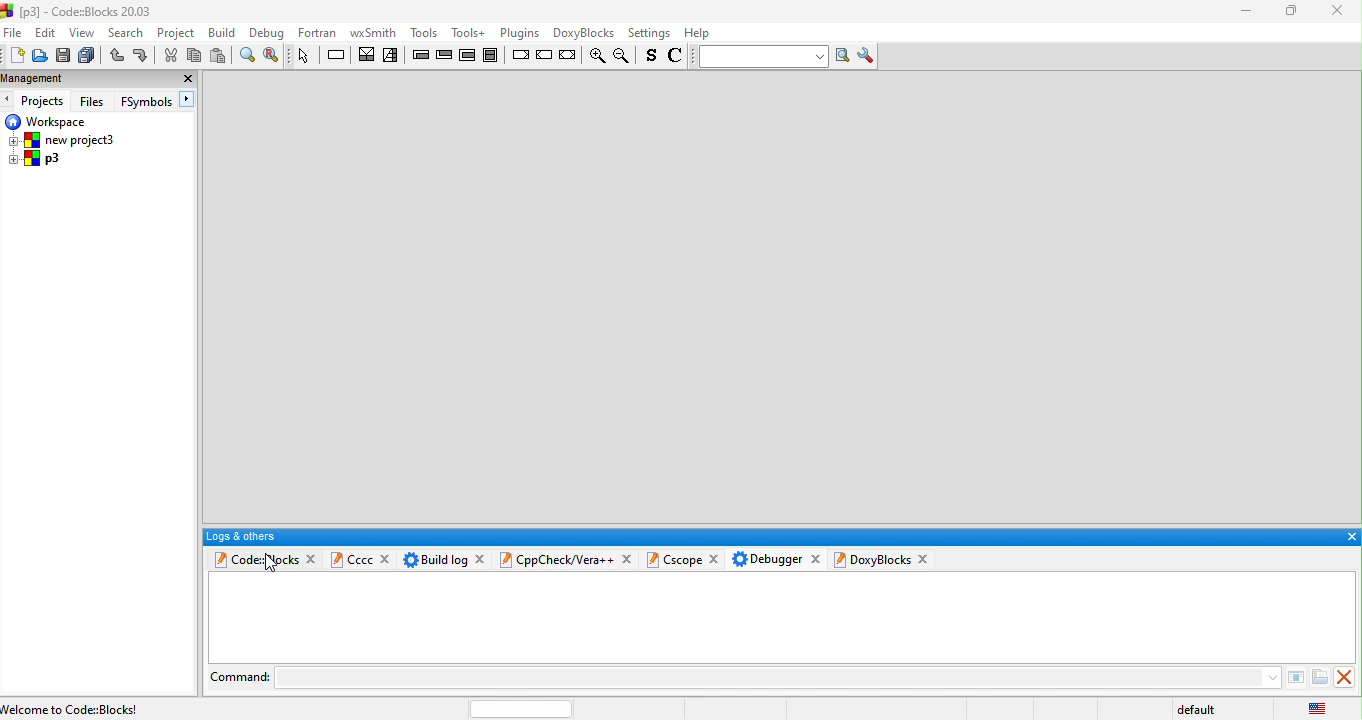 This screenshot has width=1362, height=720. I want to click on project, so click(178, 32).